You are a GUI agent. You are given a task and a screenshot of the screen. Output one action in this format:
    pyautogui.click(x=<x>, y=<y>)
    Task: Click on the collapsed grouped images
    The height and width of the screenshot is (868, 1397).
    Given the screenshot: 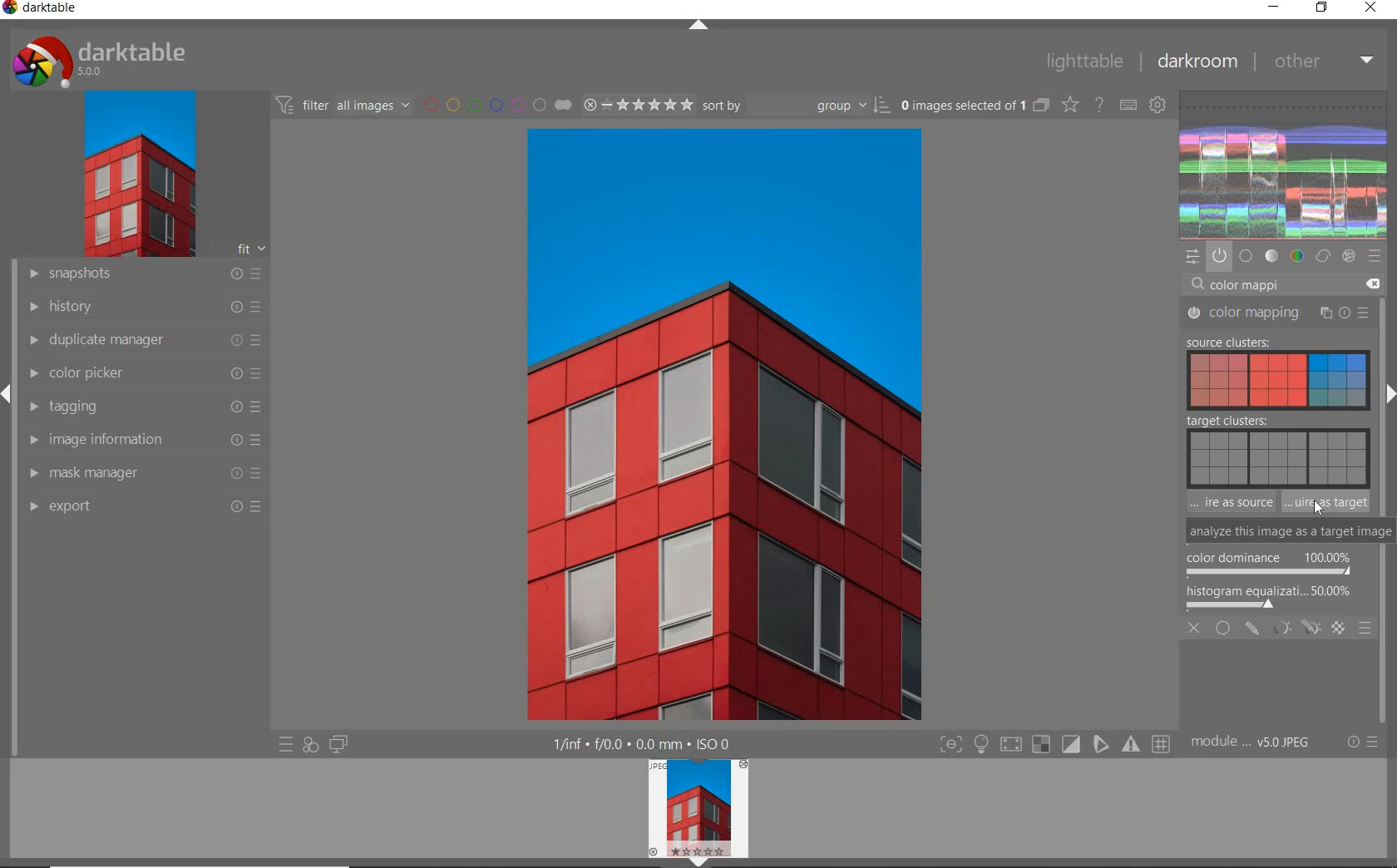 What is the action you would take?
    pyautogui.click(x=1041, y=103)
    